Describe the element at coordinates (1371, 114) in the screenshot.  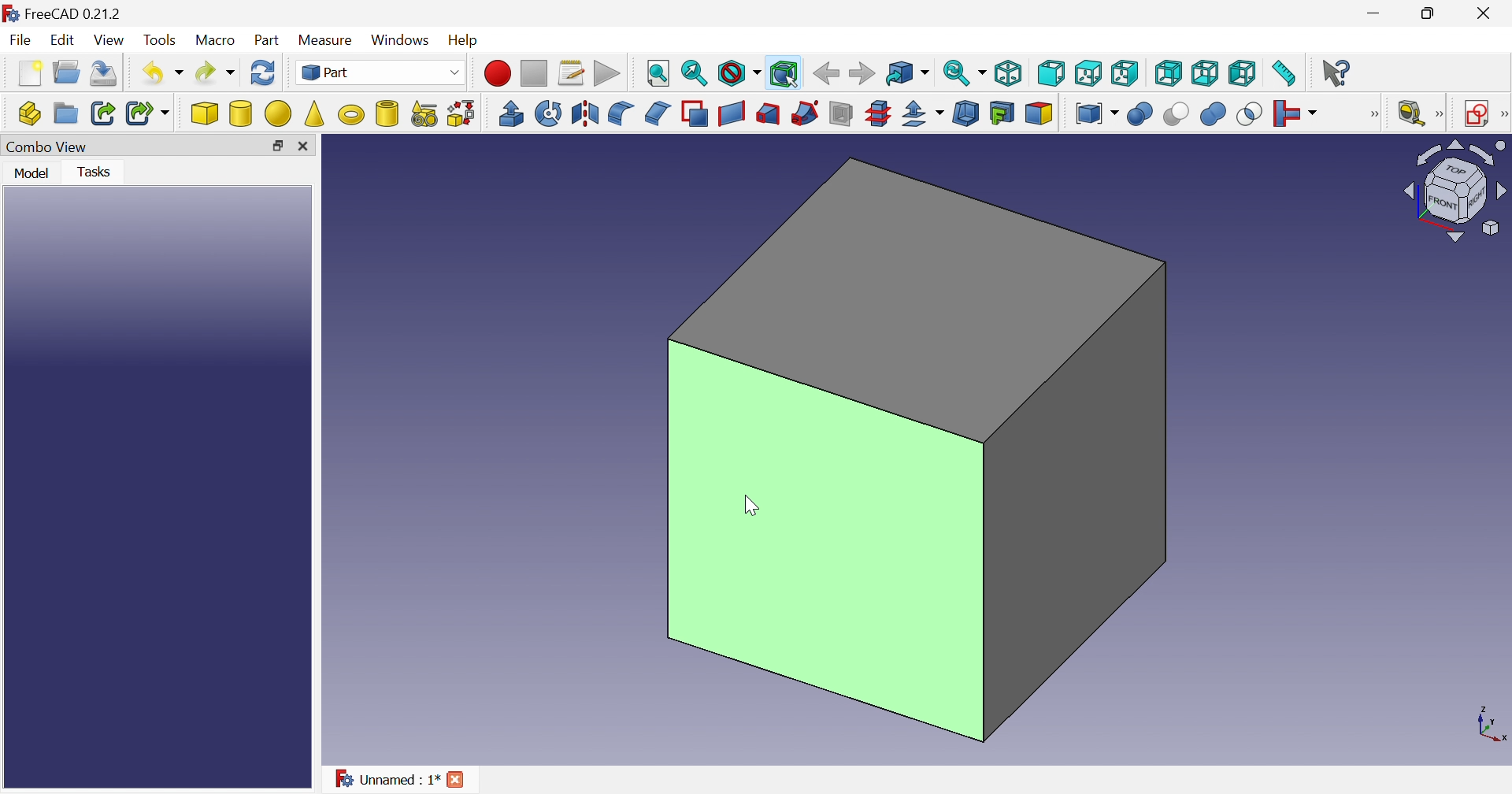
I see `[Boolean]` at that location.